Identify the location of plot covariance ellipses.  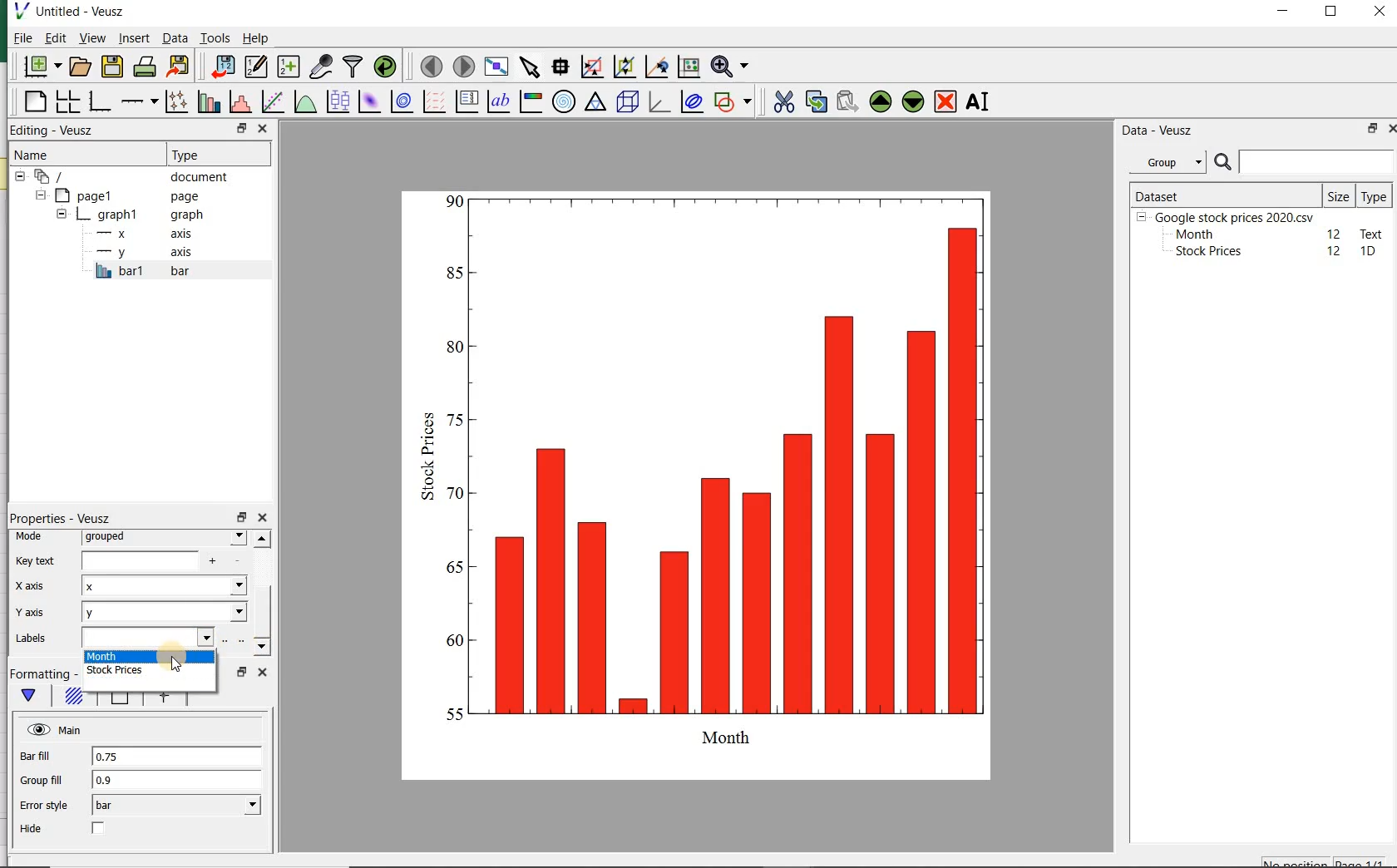
(692, 102).